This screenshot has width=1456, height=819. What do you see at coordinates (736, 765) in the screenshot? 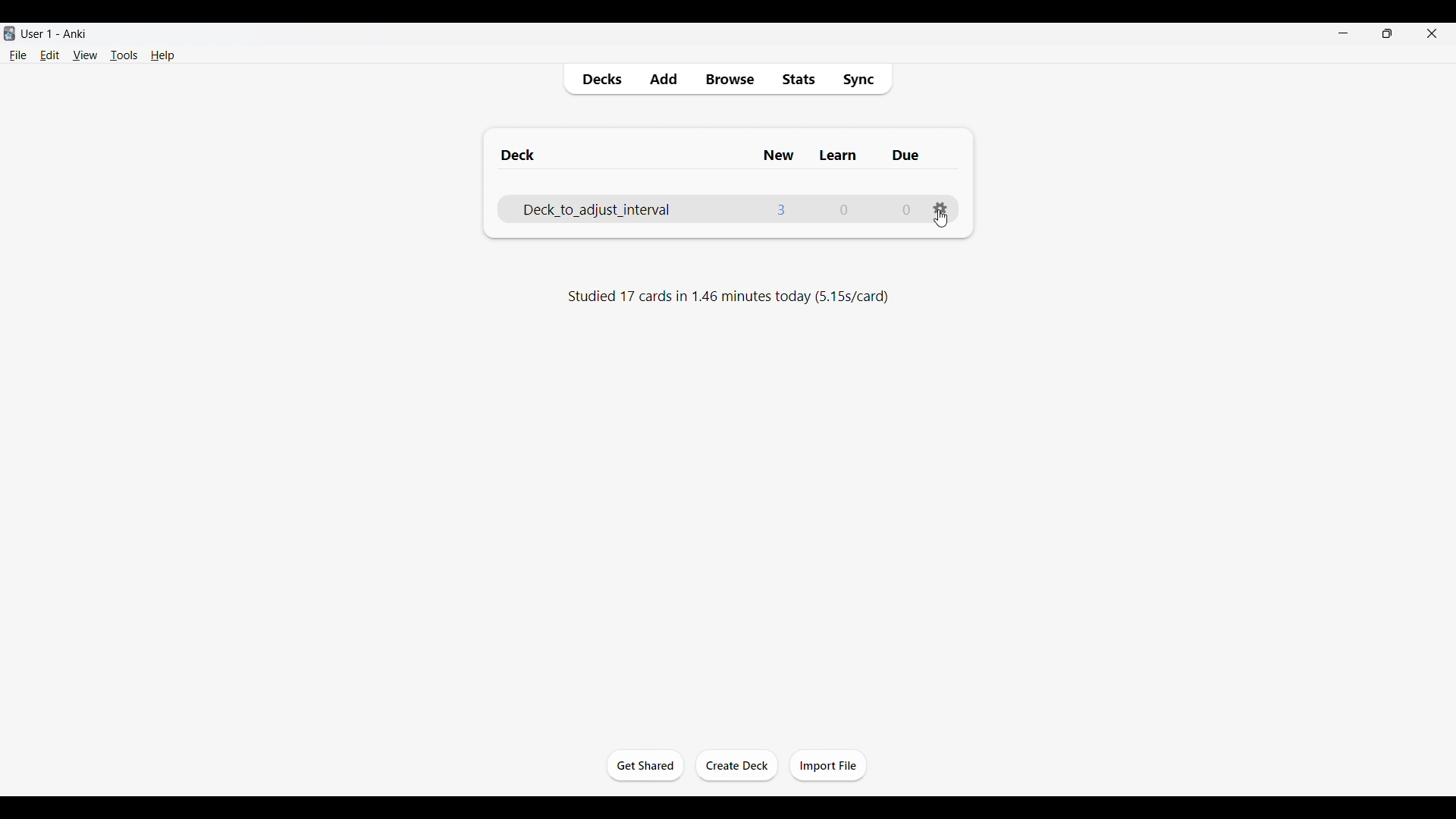
I see `Create deck` at bounding box center [736, 765].